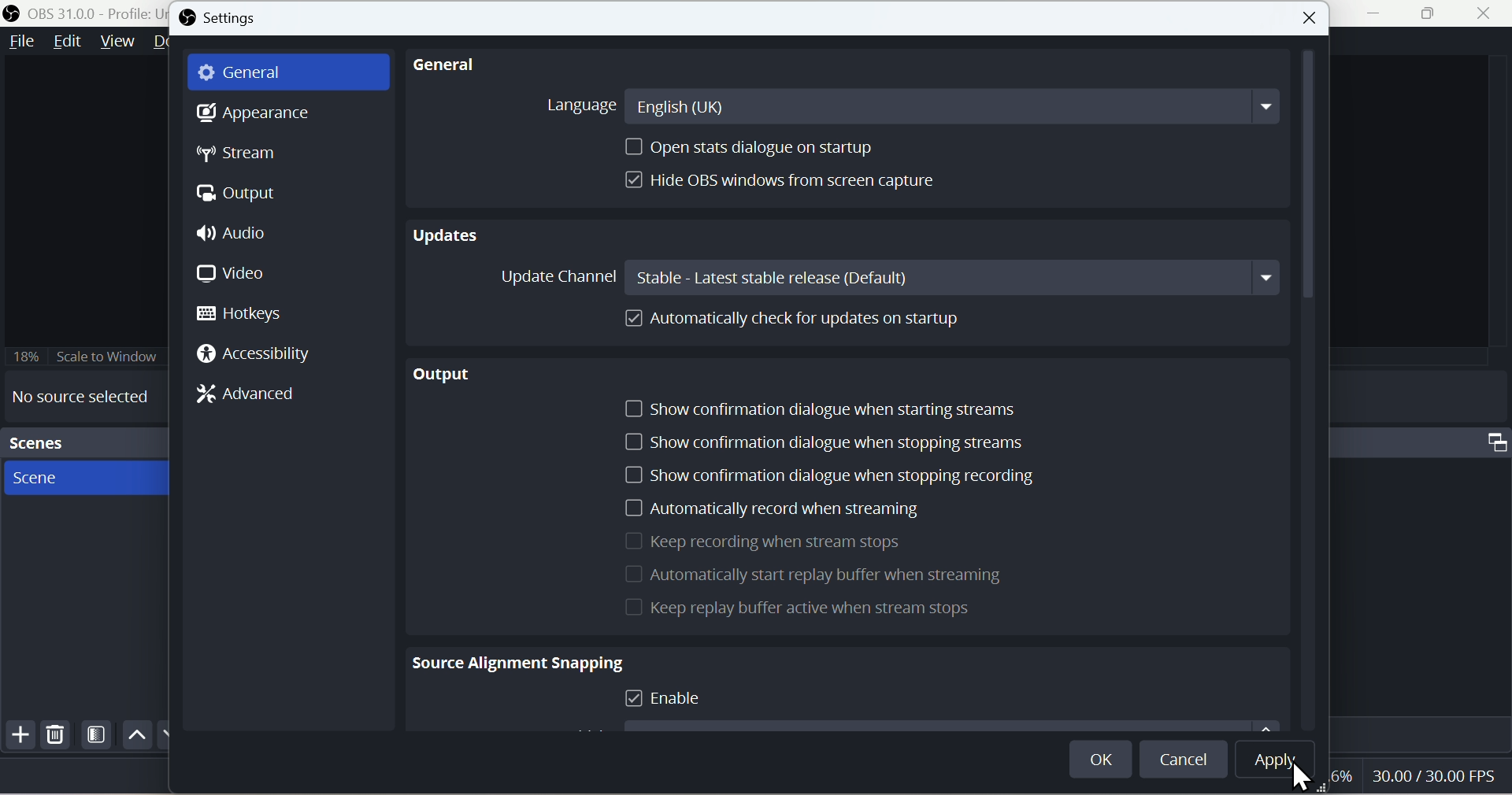 This screenshot has height=795, width=1512. What do you see at coordinates (438, 374) in the screenshot?
I see `output` at bounding box center [438, 374].